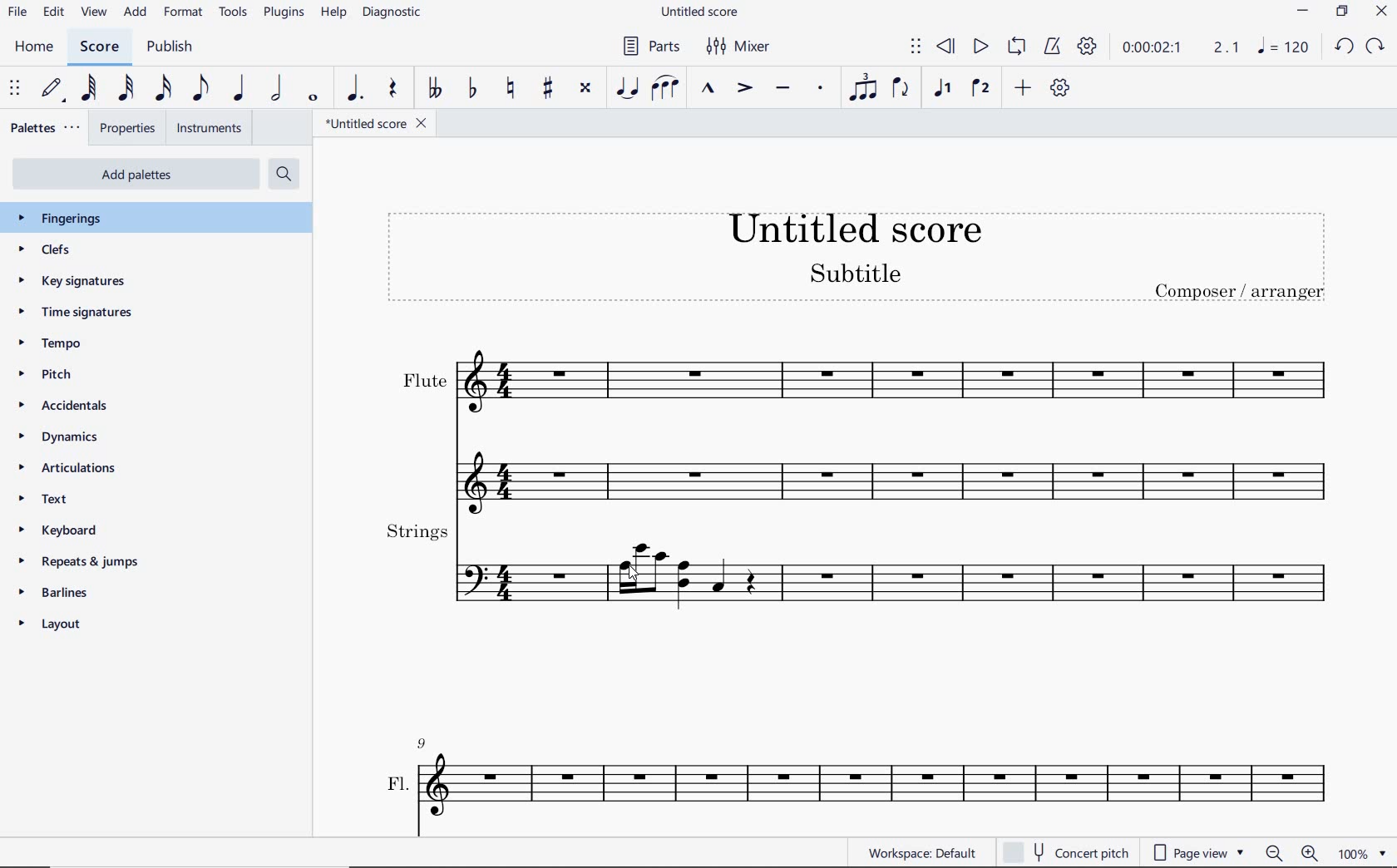  I want to click on flute, so click(859, 421).